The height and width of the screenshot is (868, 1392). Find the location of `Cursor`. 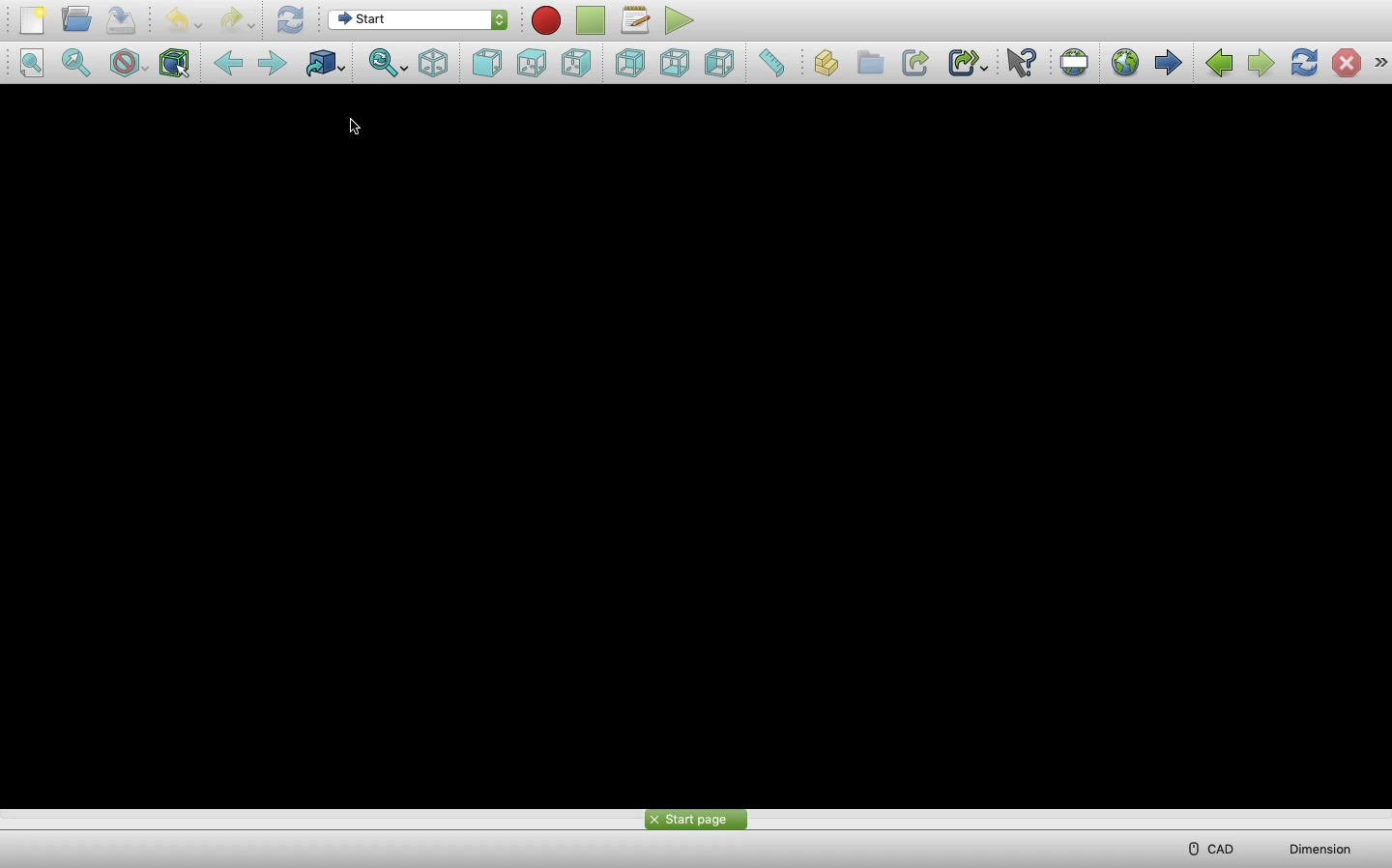

Cursor is located at coordinates (356, 126).